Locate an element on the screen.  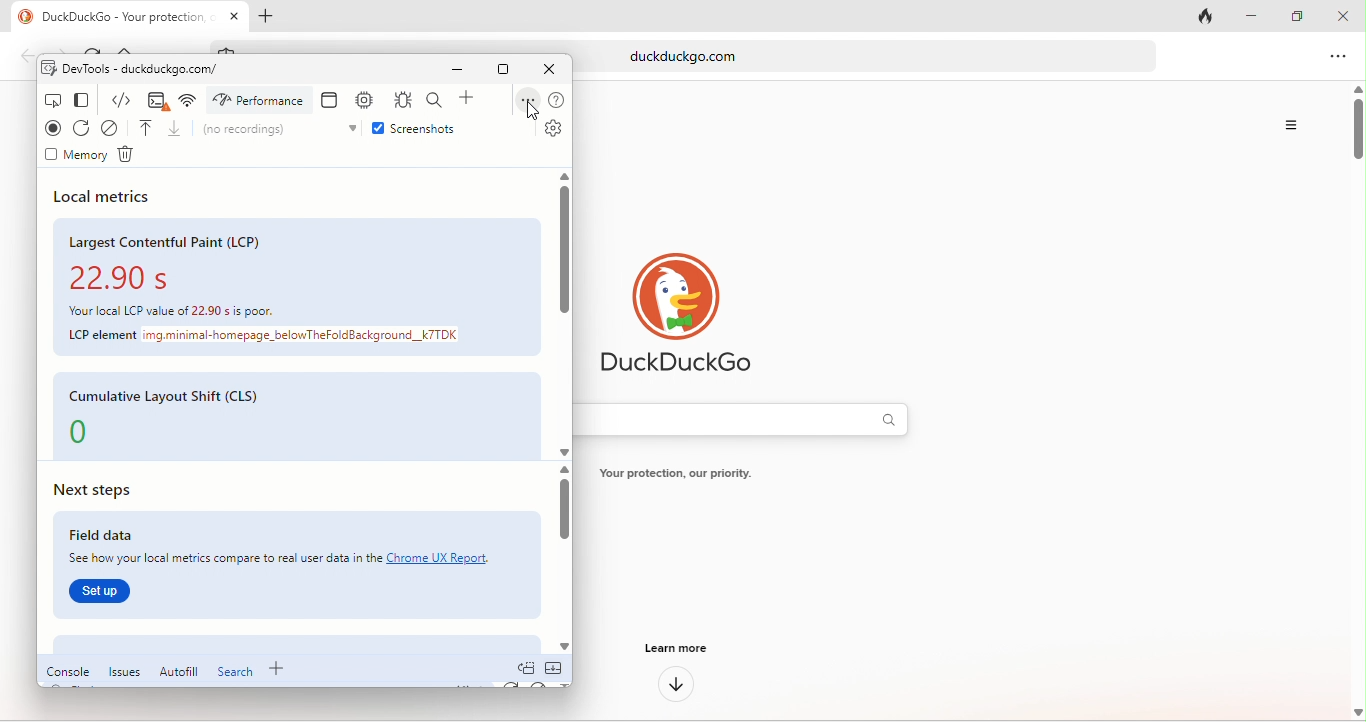
maximize is located at coordinates (1292, 16).